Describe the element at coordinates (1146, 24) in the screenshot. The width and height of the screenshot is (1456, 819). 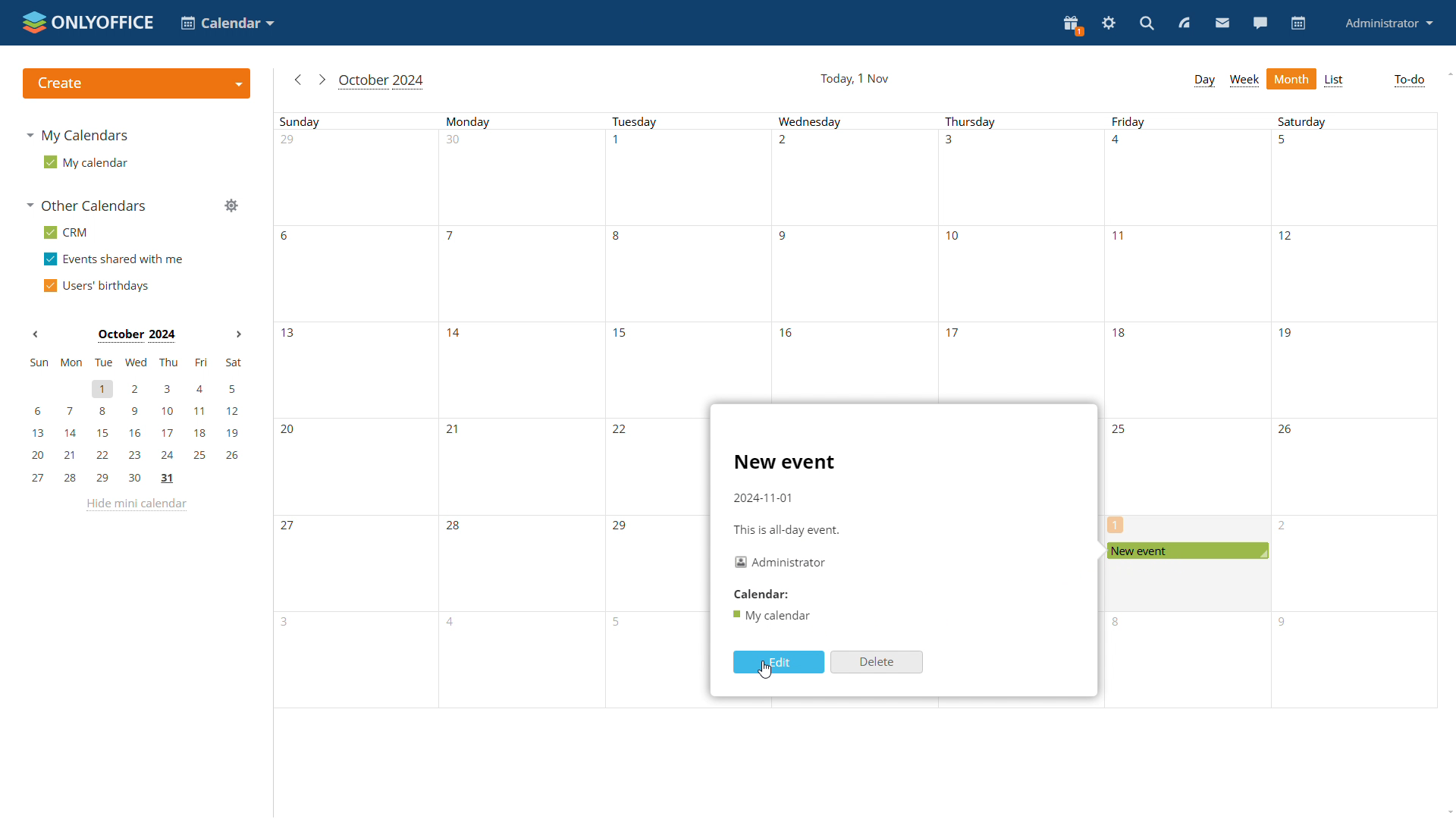
I see `search` at that location.